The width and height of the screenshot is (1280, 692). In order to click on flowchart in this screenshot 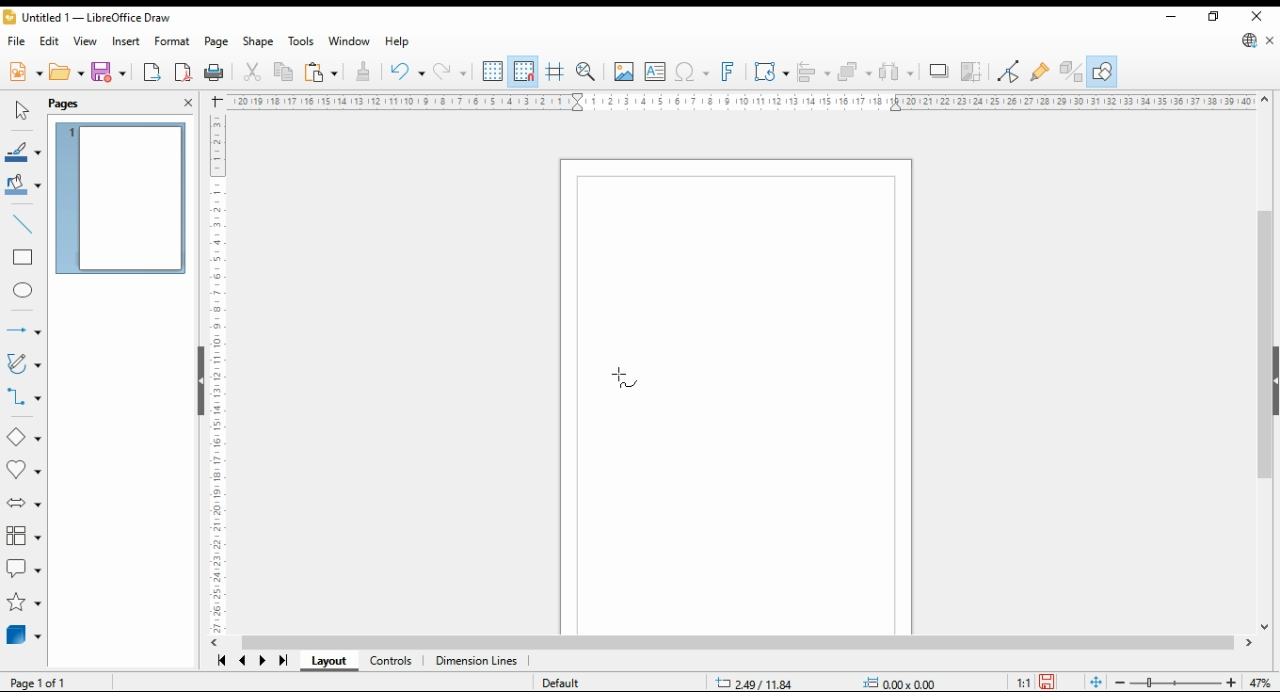, I will do `click(24, 537)`.